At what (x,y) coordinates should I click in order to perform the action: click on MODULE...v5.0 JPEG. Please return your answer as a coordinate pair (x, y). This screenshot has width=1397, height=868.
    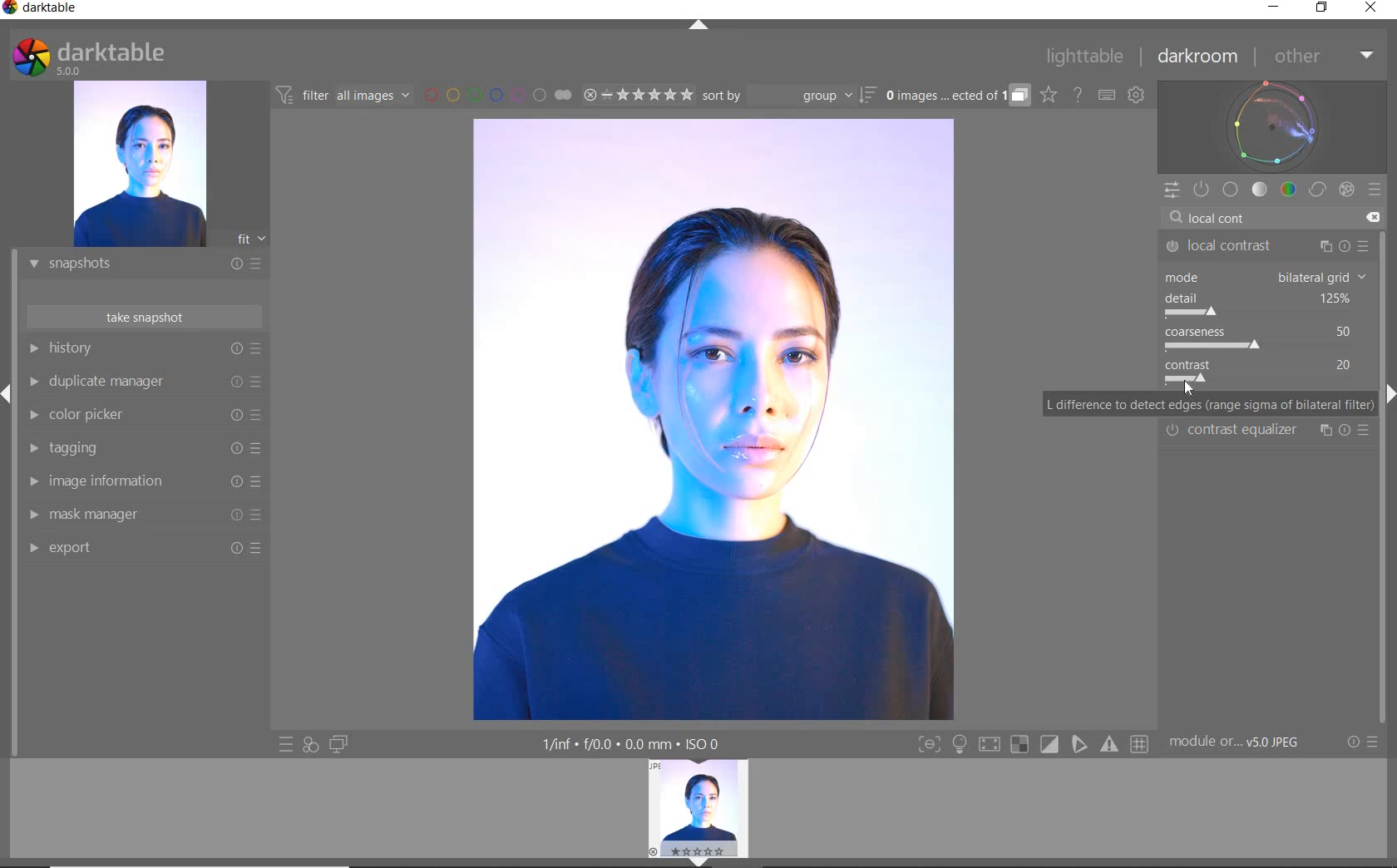
    Looking at the image, I should click on (1246, 742).